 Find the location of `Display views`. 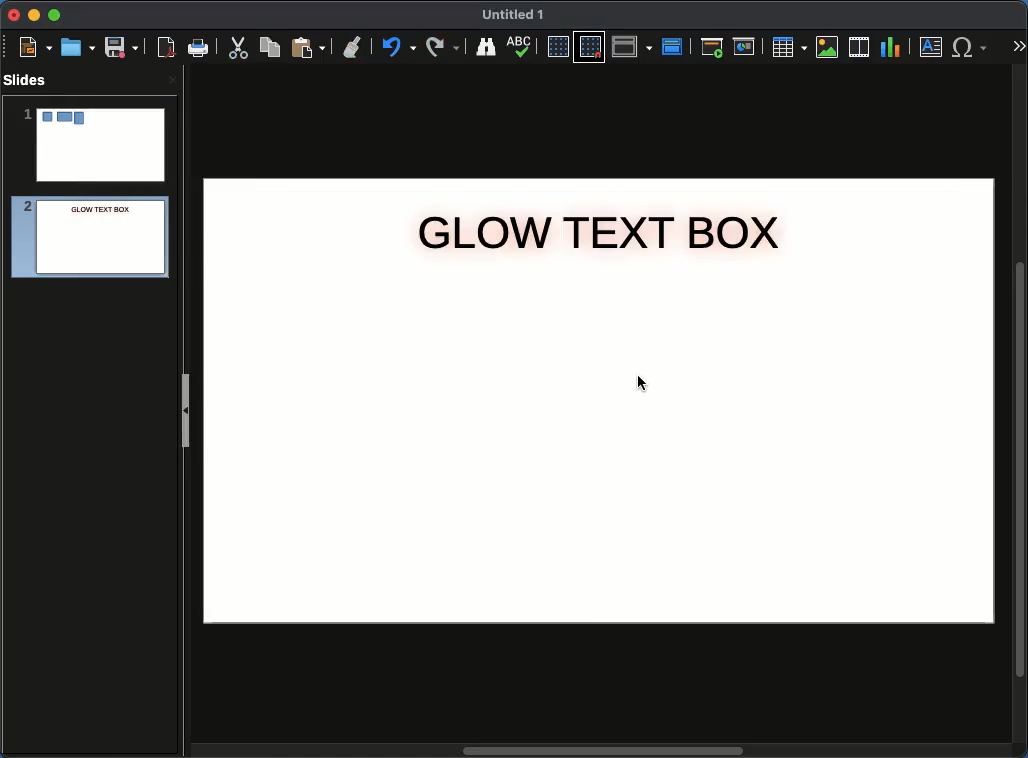

Display views is located at coordinates (635, 45).